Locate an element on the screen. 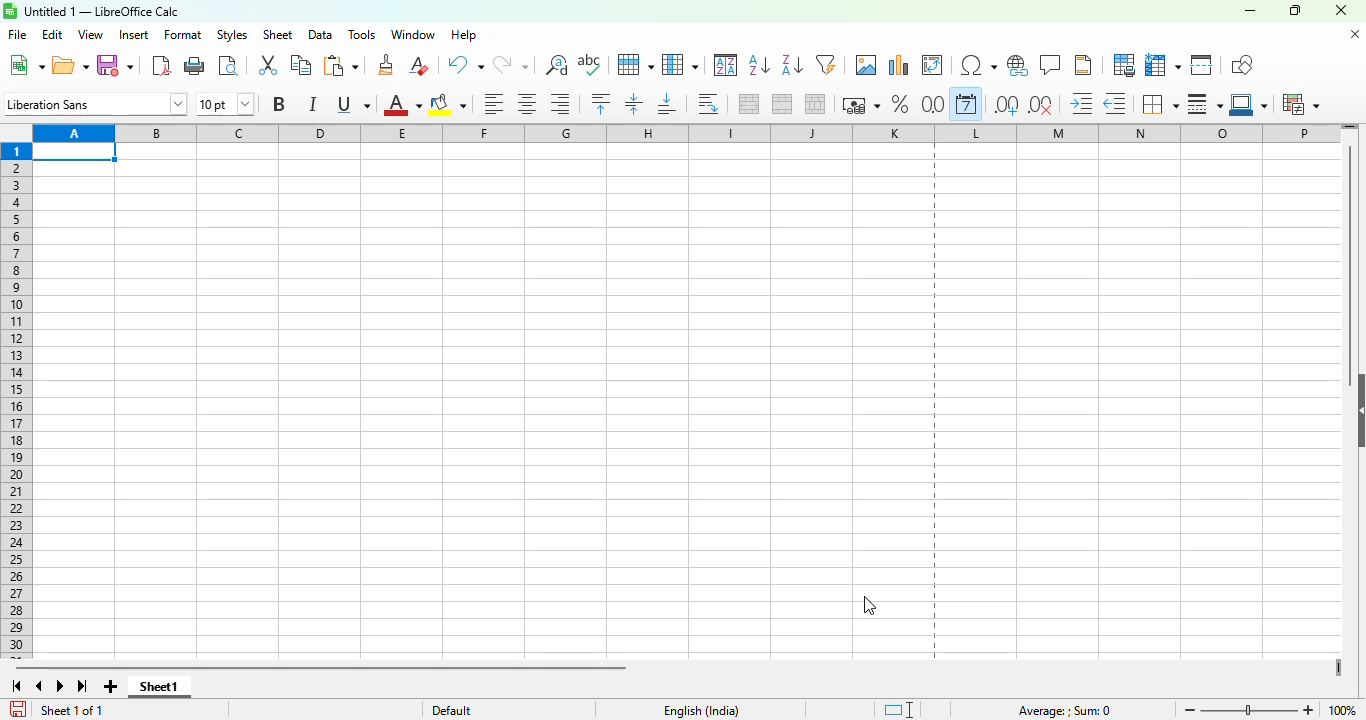  border color is located at coordinates (1248, 104).